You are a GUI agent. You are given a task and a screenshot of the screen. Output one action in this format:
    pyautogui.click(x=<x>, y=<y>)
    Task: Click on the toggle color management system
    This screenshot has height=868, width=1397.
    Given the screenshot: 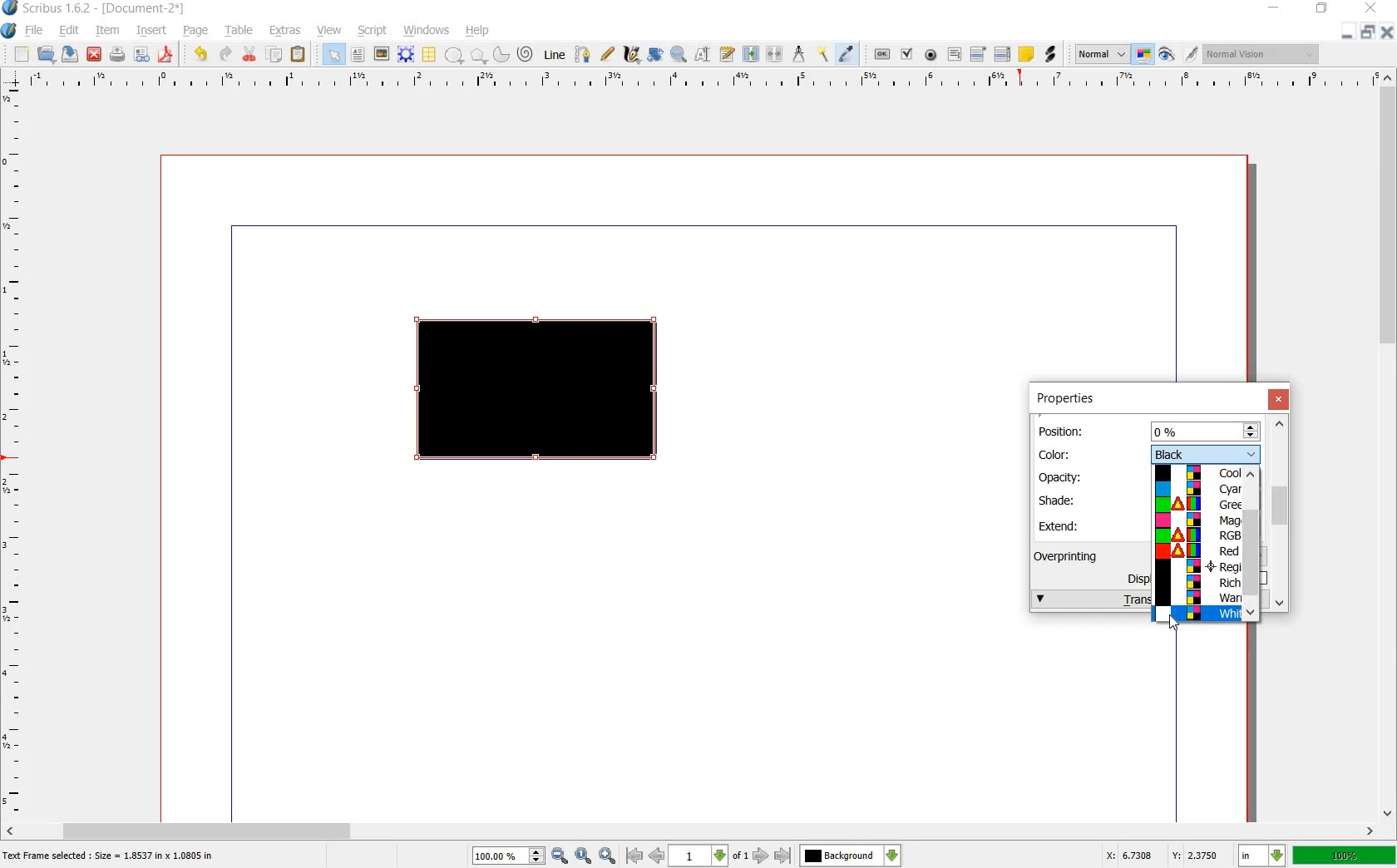 What is the action you would take?
    pyautogui.click(x=1144, y=55)
    